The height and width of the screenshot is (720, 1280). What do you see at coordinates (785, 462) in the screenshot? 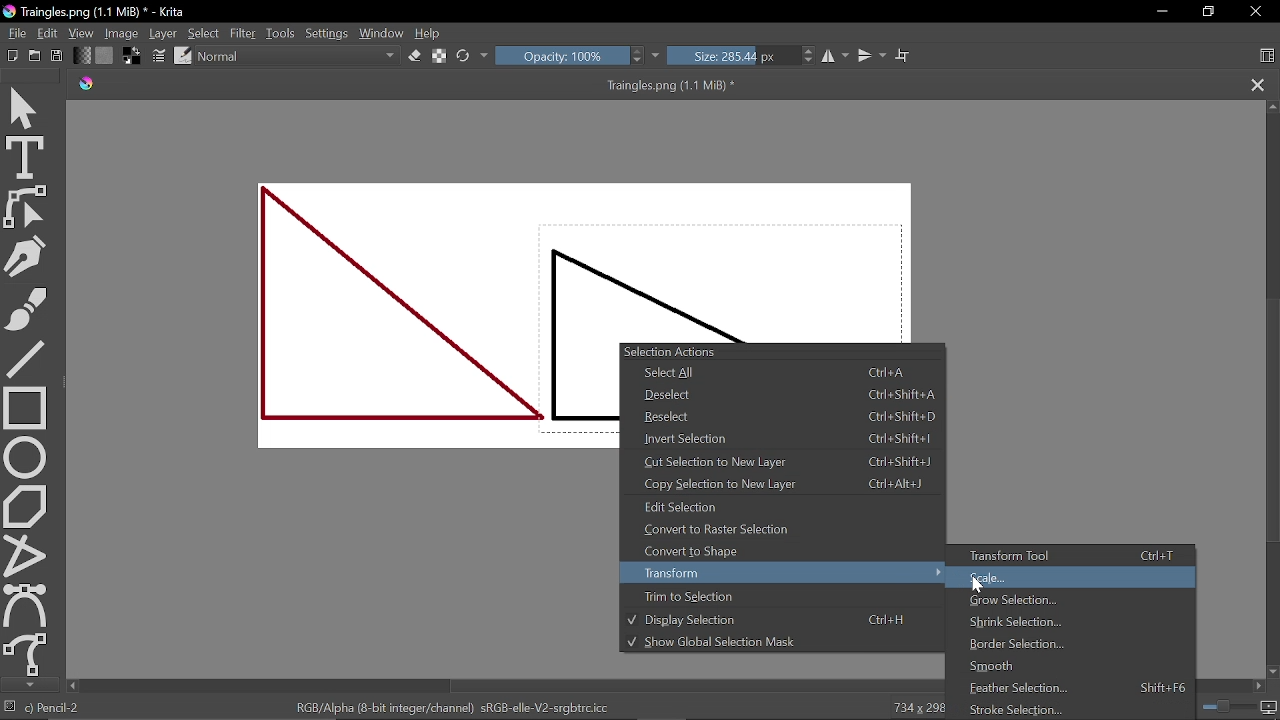
I see `Cut selection to new layer` at bounding box center [785, 462].